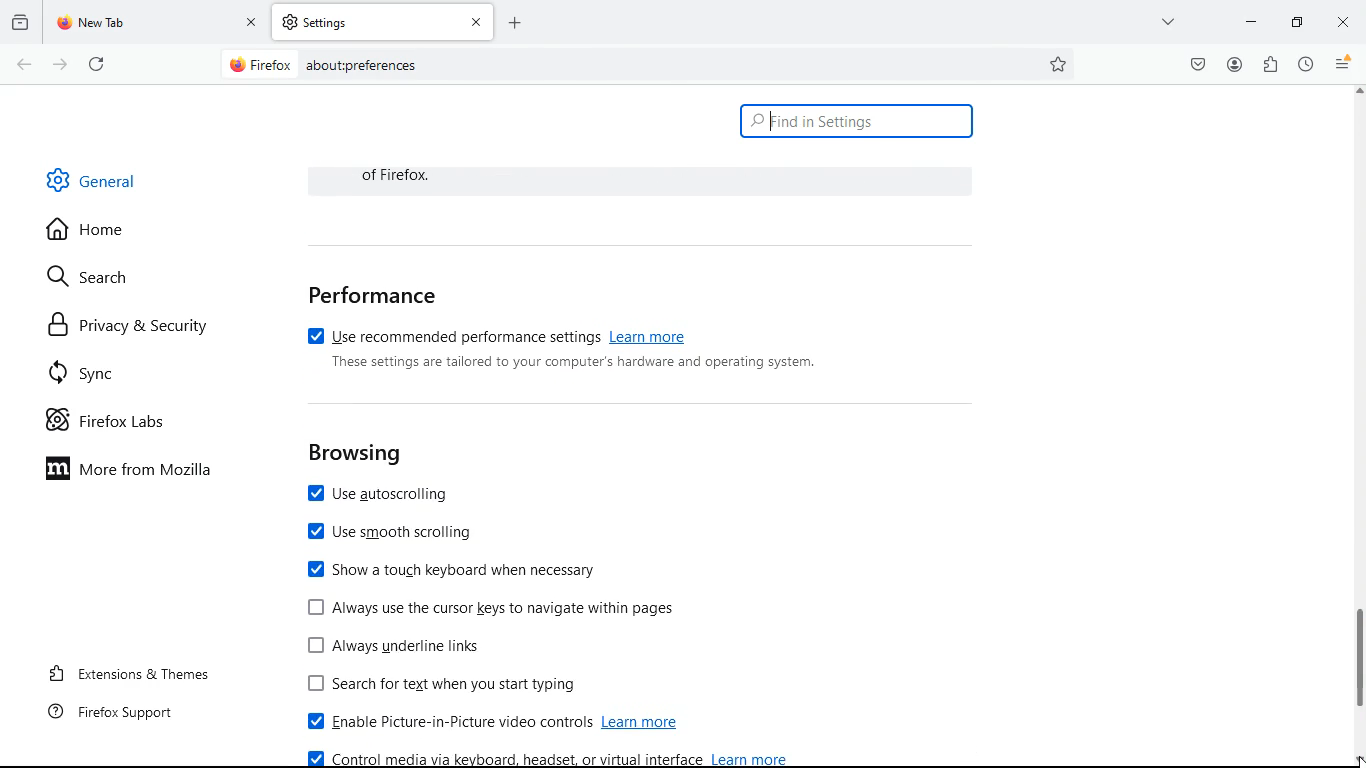 The image size is (1366, 768). I want to click on favorite, so click(1059, 65).